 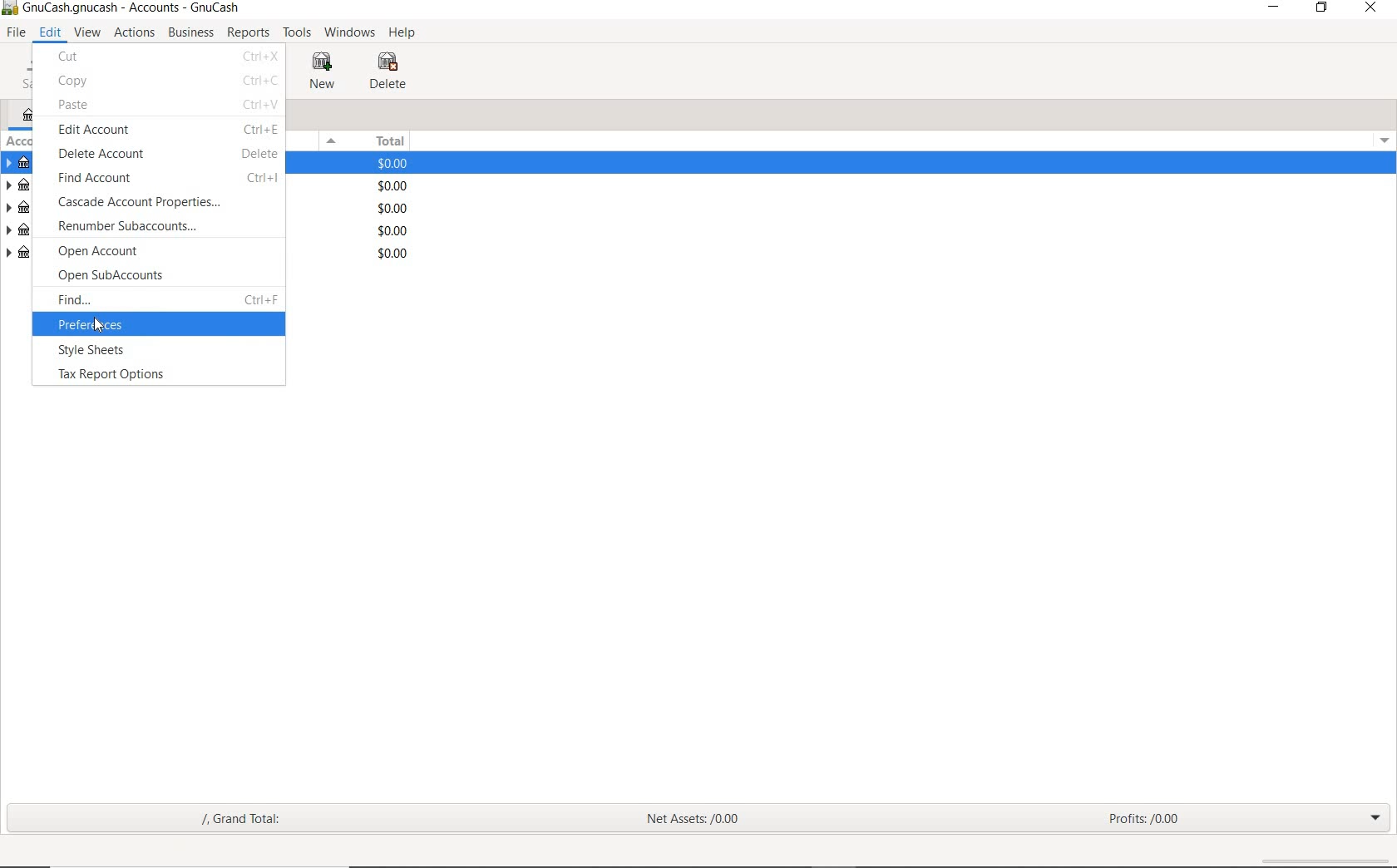 I want to click on cut, so click(x=75, y=59).